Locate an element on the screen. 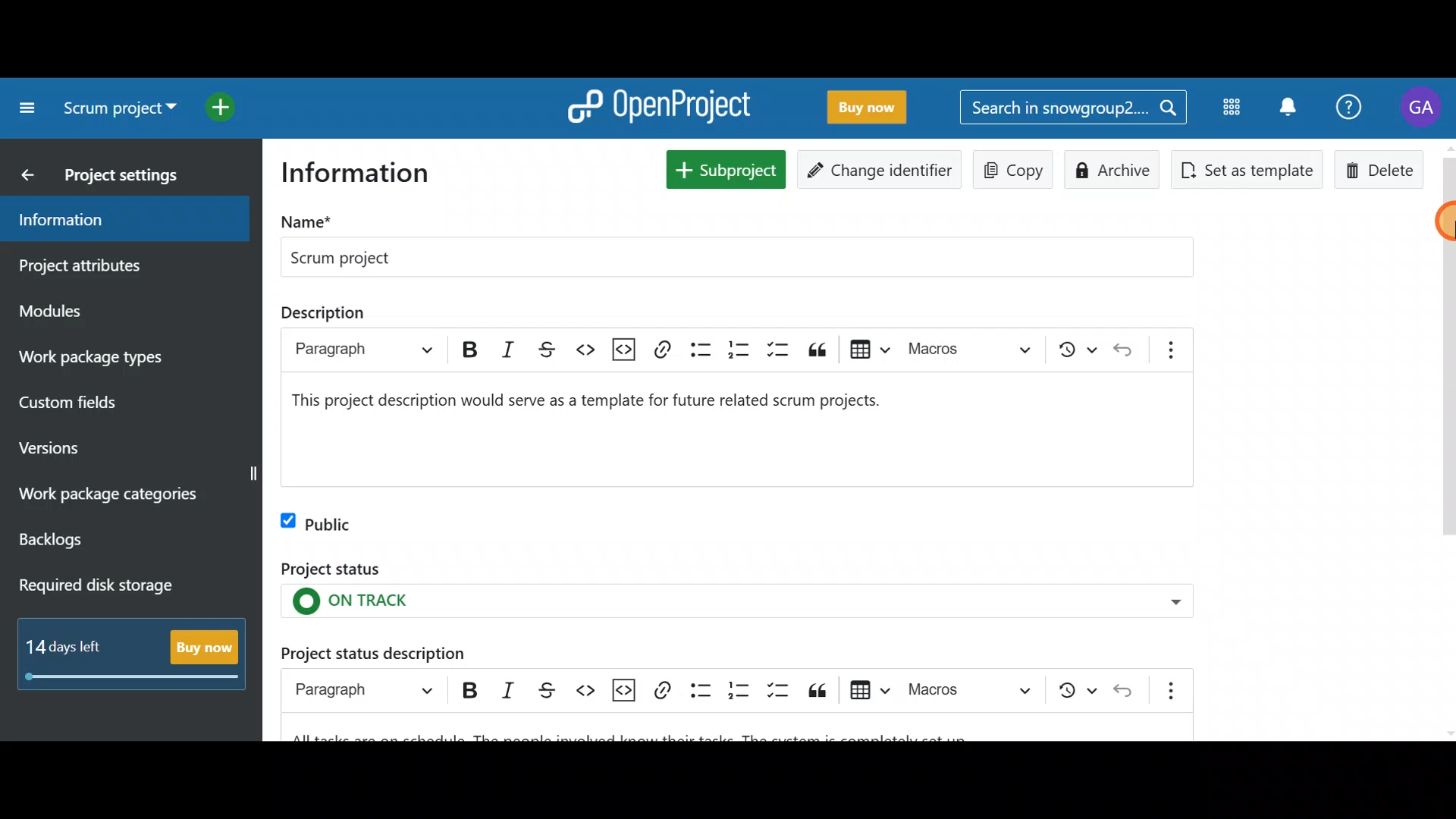  Information is located at coordinates (367, 175).